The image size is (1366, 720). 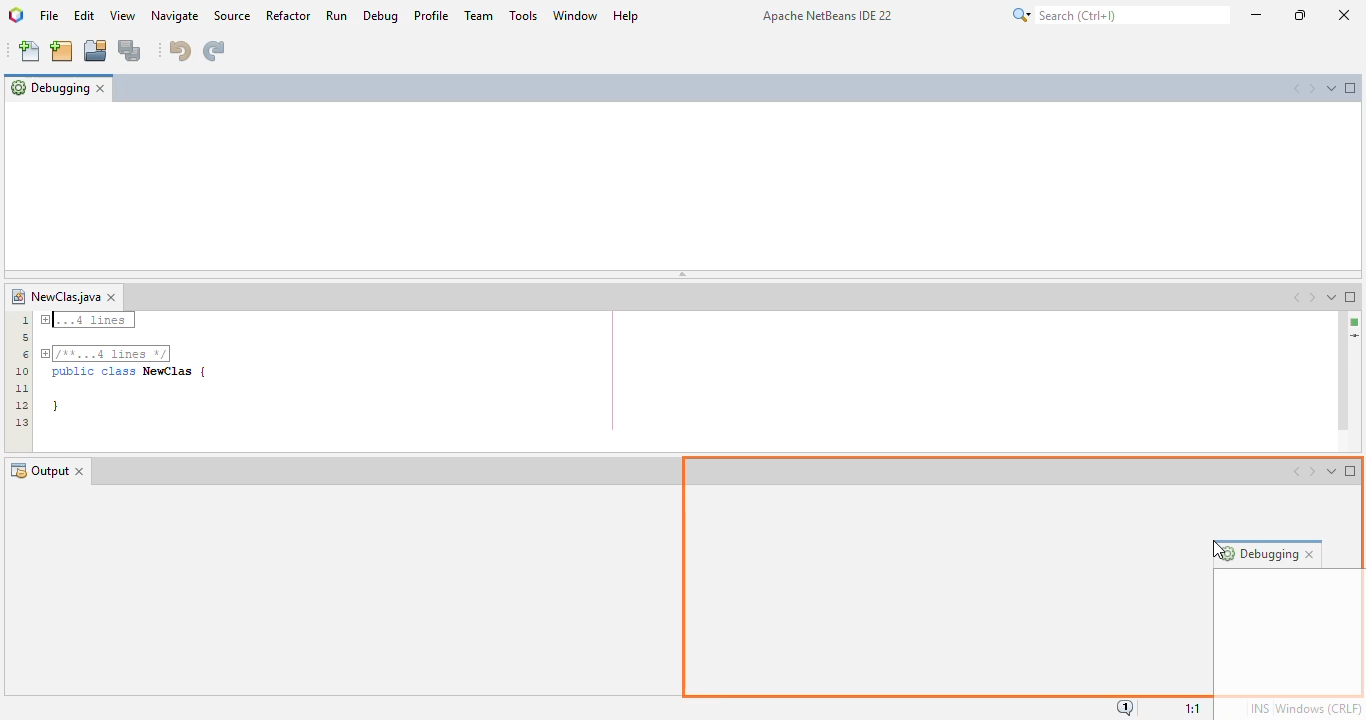 I want to click on help, so click(x=626, y=14).